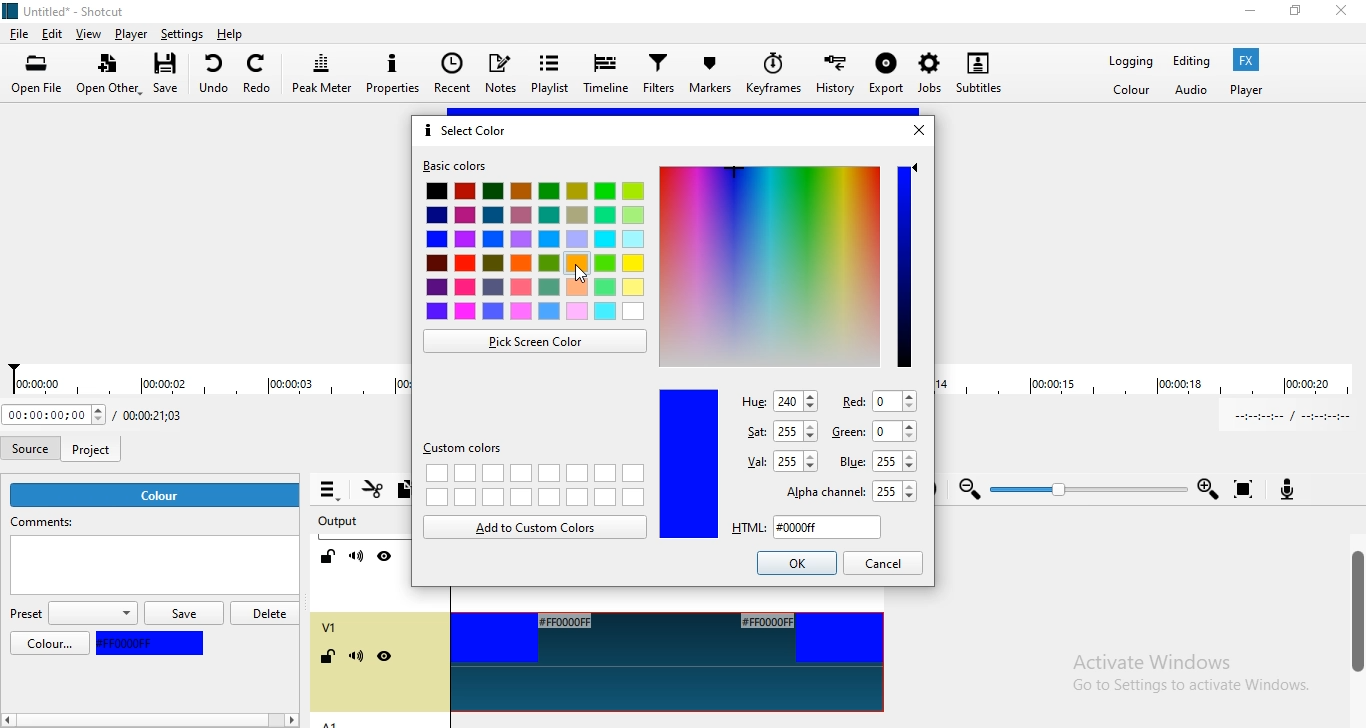 This screenshot has height=728, width=1366. Describe the element at coordinates (1355, 615) in the screenshot. I see `scroll bar` at that location.